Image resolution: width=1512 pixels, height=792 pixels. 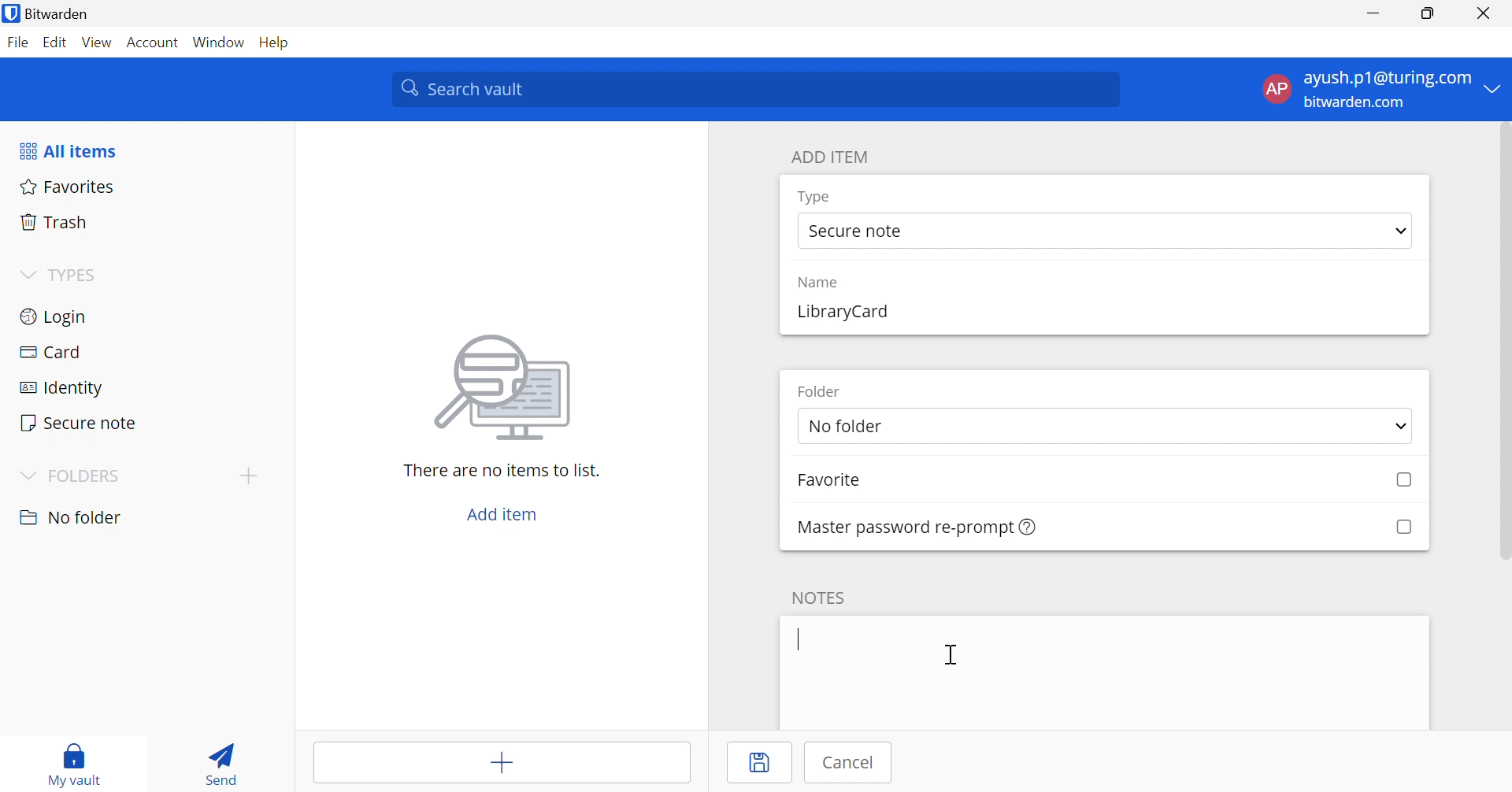 I want to click on Checkbox, so click(x=1402, y=527).